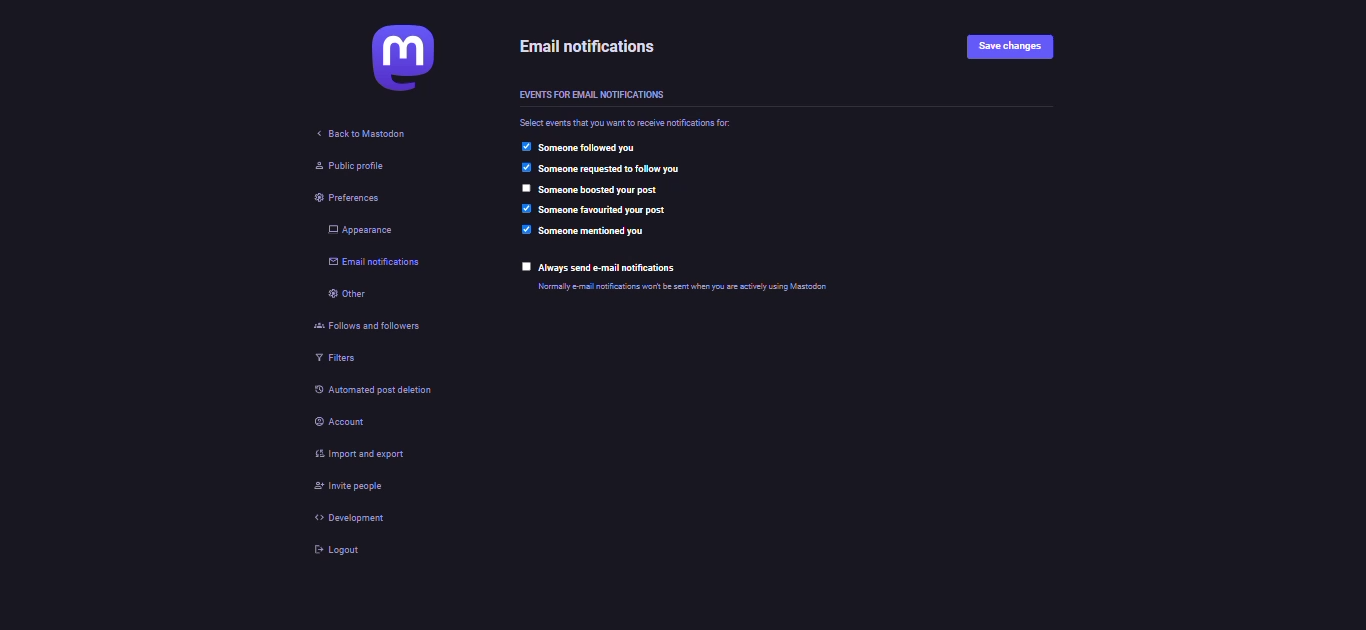 The height and width of the screenshot is (630, 1366). Describe the element at coordinates (338, 293) in the screenshot. I see `other` at that location.